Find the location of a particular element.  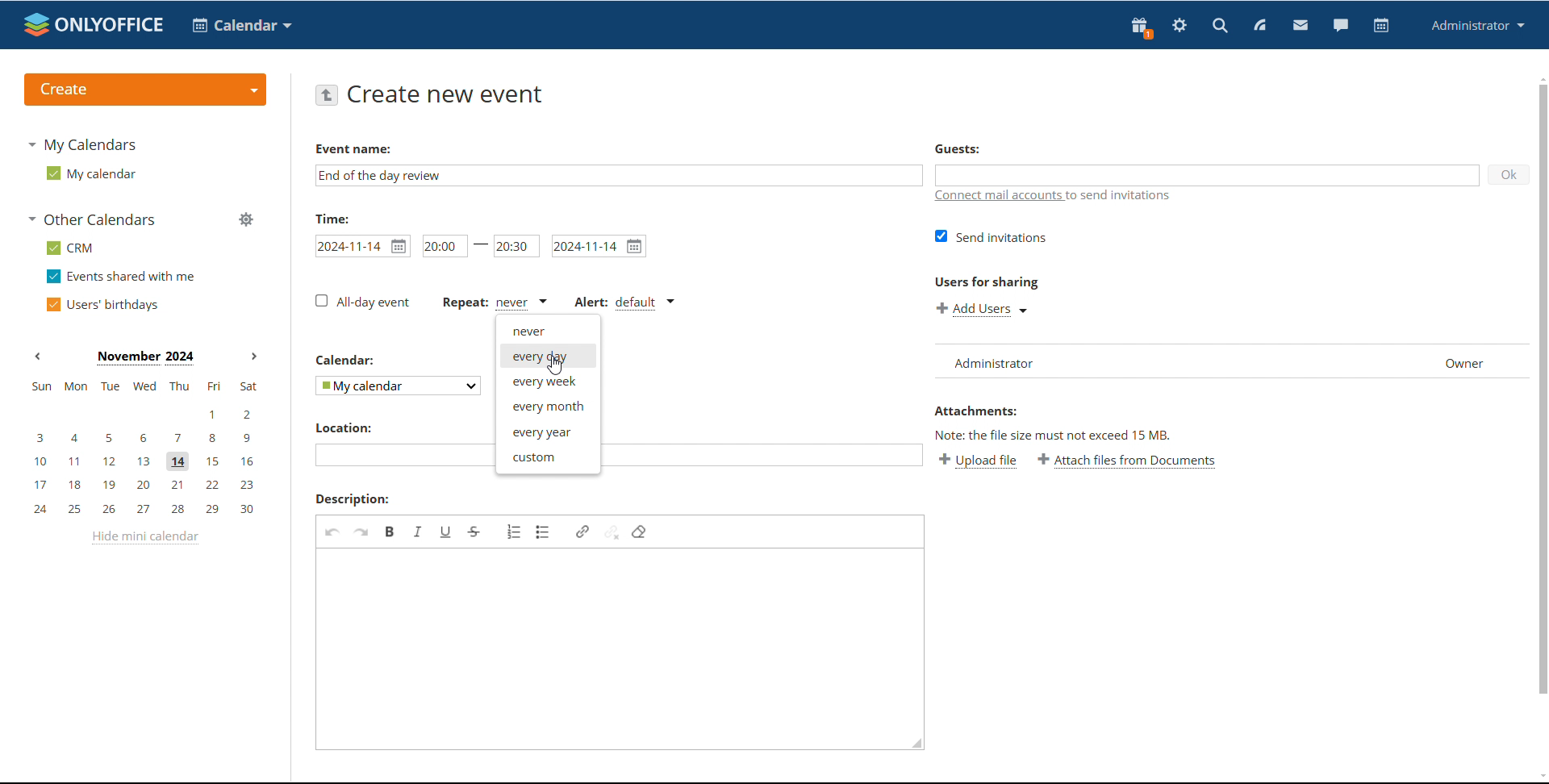

insert/remove numbered list is located at coordinates (515, 532).